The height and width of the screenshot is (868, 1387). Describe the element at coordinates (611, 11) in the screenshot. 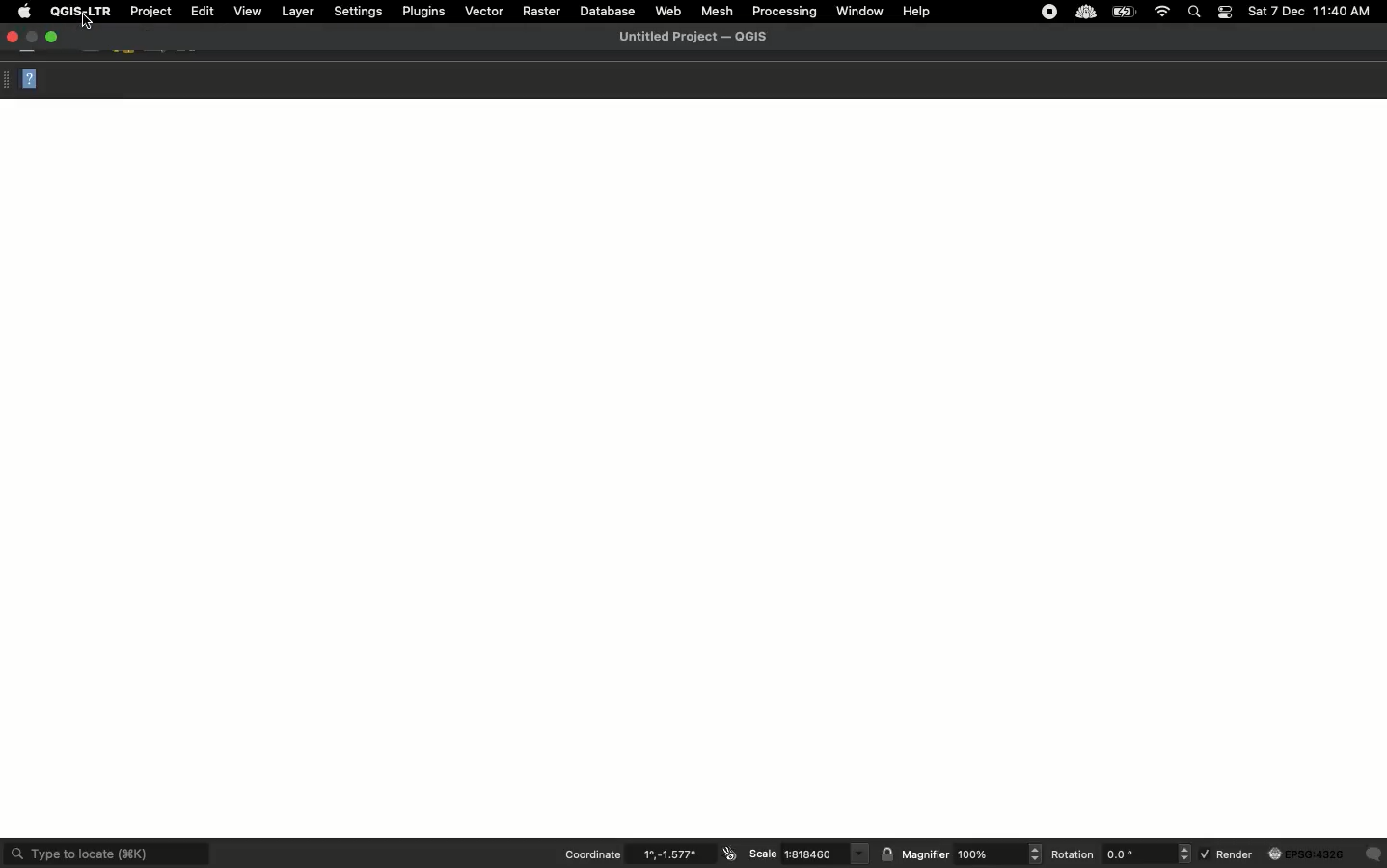

I see `Database` at that location.